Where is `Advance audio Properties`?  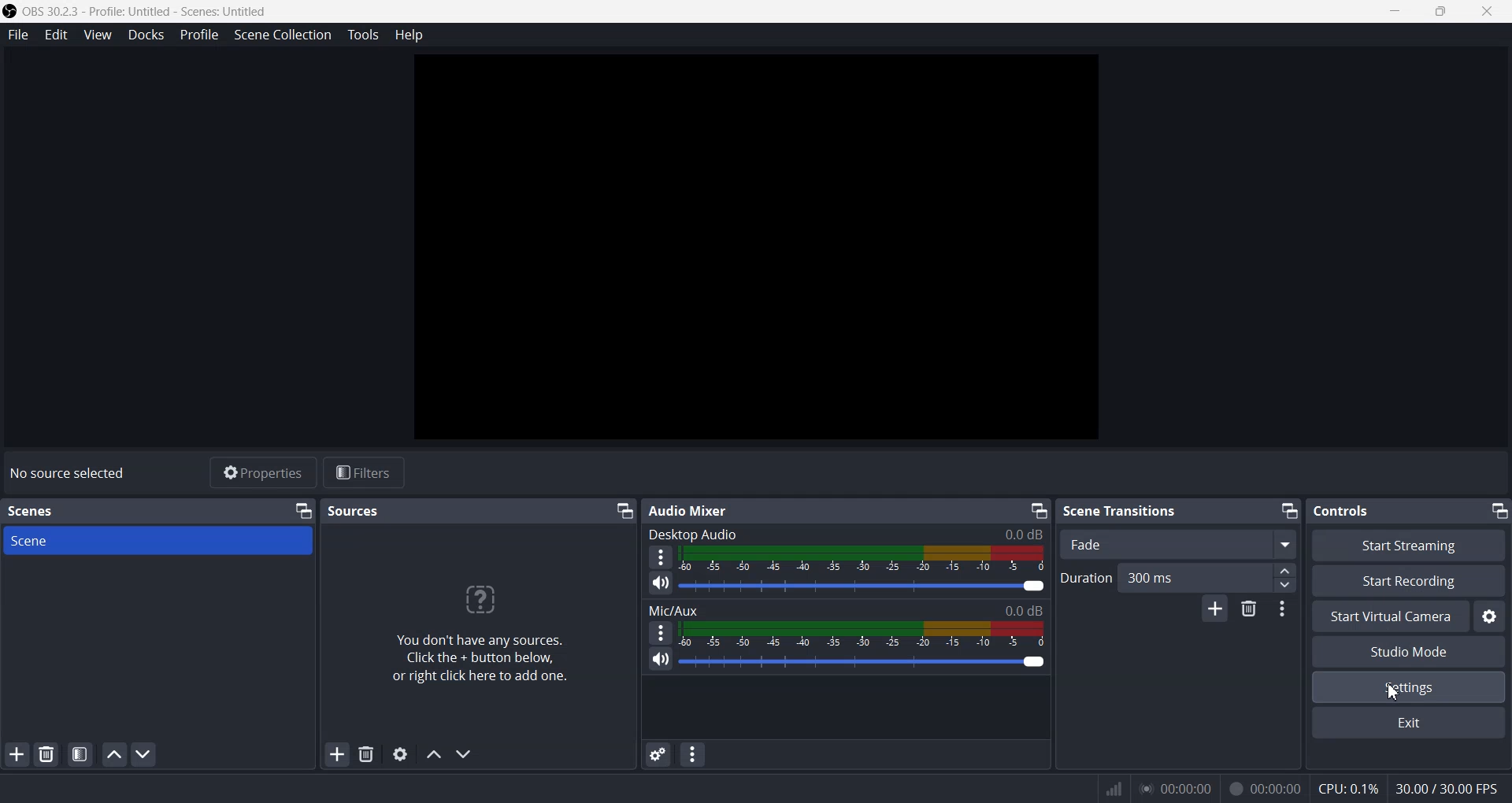
Advance audio Properties is located at coordinates (658, 754).